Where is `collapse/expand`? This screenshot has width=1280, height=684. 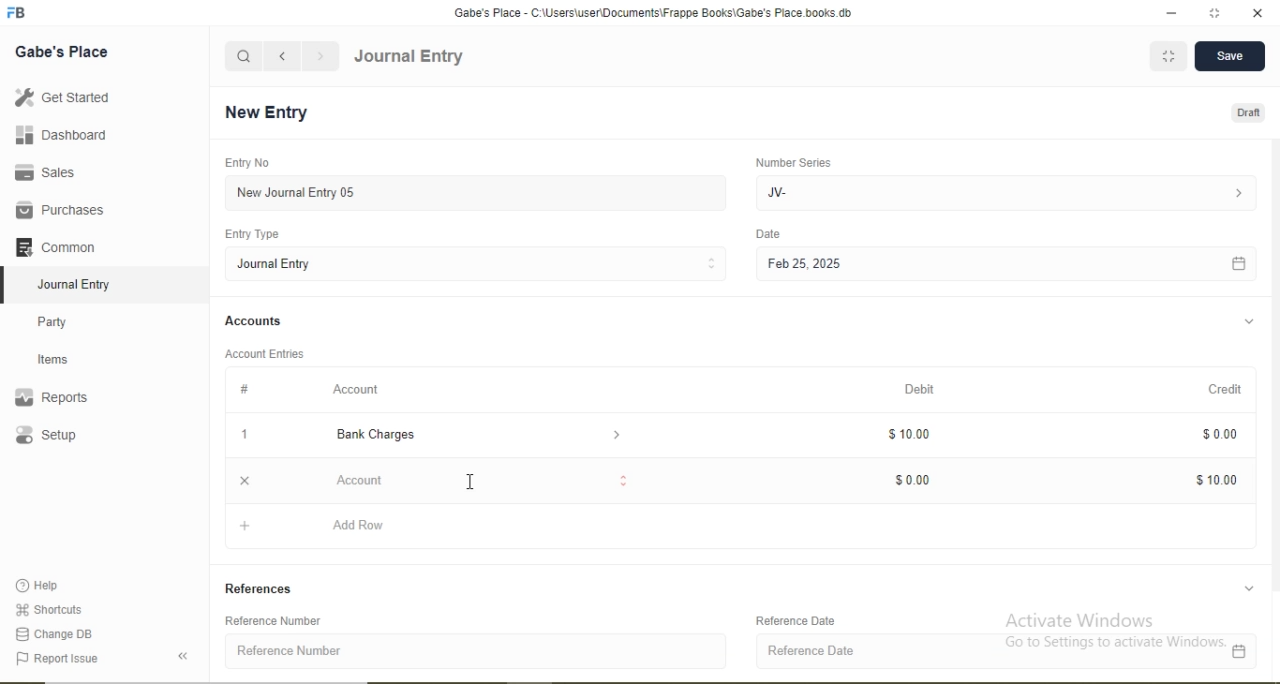 collapse/expand is located at coordinates (1249, 587).